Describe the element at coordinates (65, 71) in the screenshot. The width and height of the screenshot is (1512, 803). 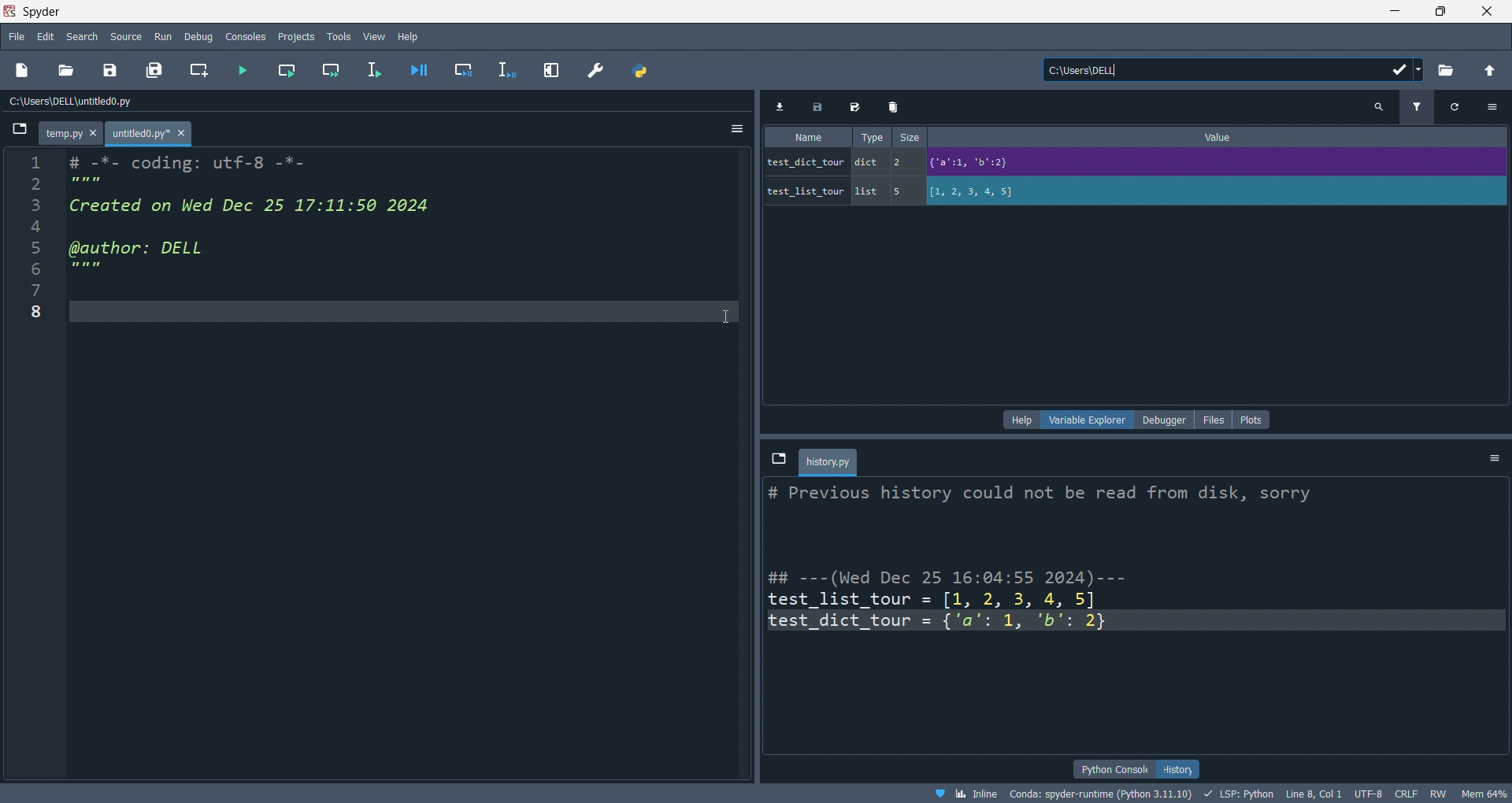
I see `open file` at that location.